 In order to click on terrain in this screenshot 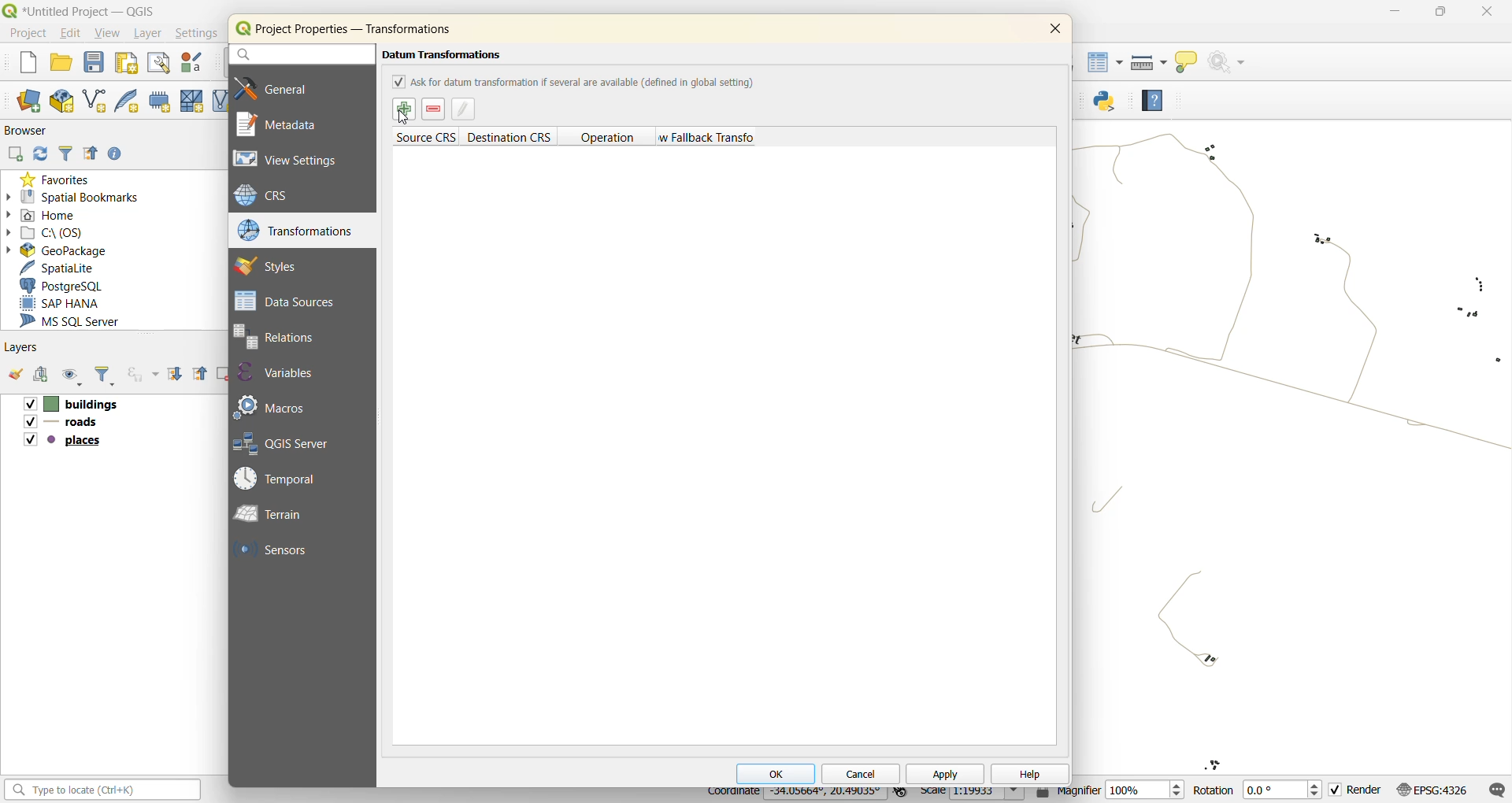, I will do `click(281, 516)`.